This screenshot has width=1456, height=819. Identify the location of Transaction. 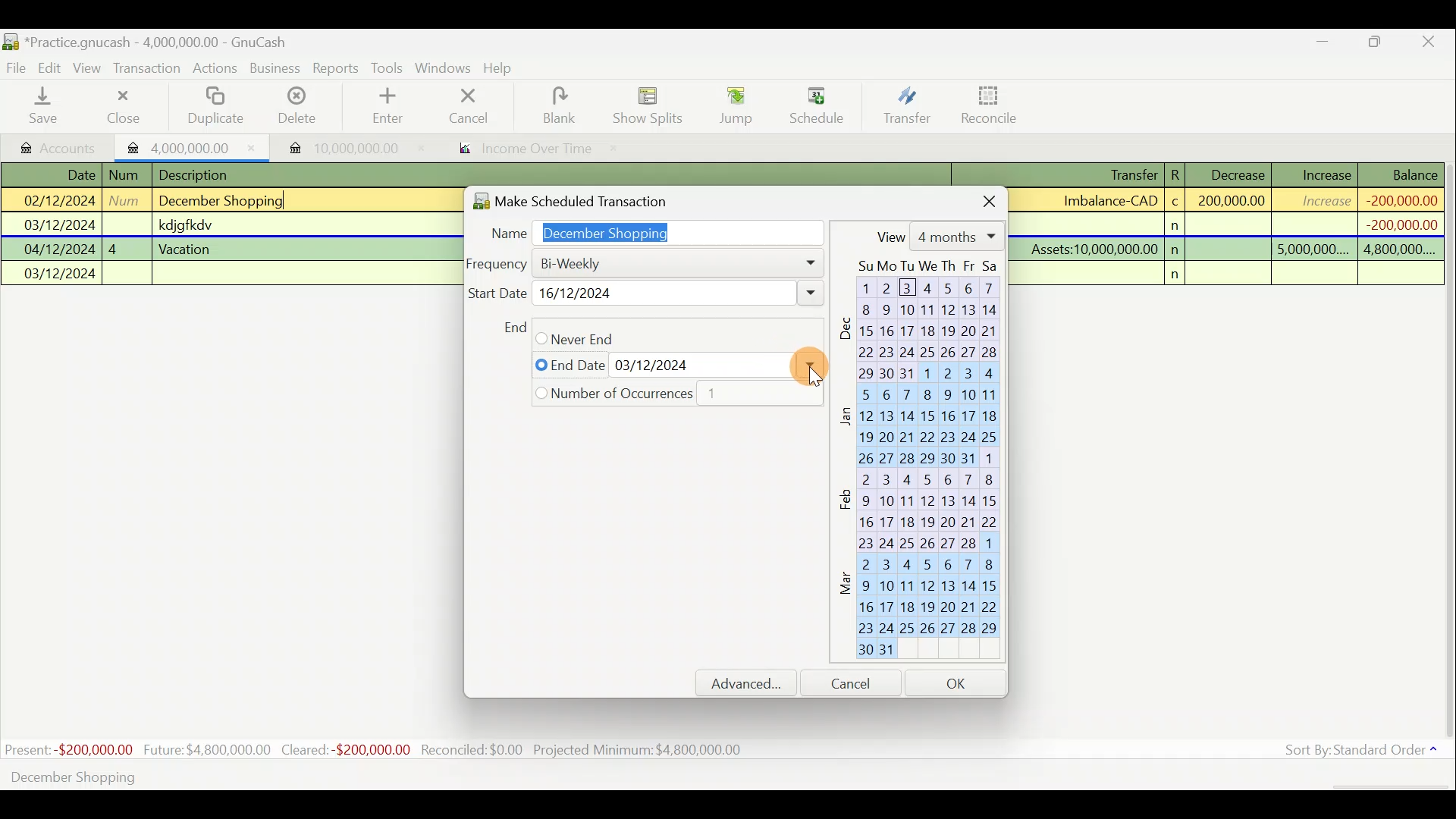
(148, 68).